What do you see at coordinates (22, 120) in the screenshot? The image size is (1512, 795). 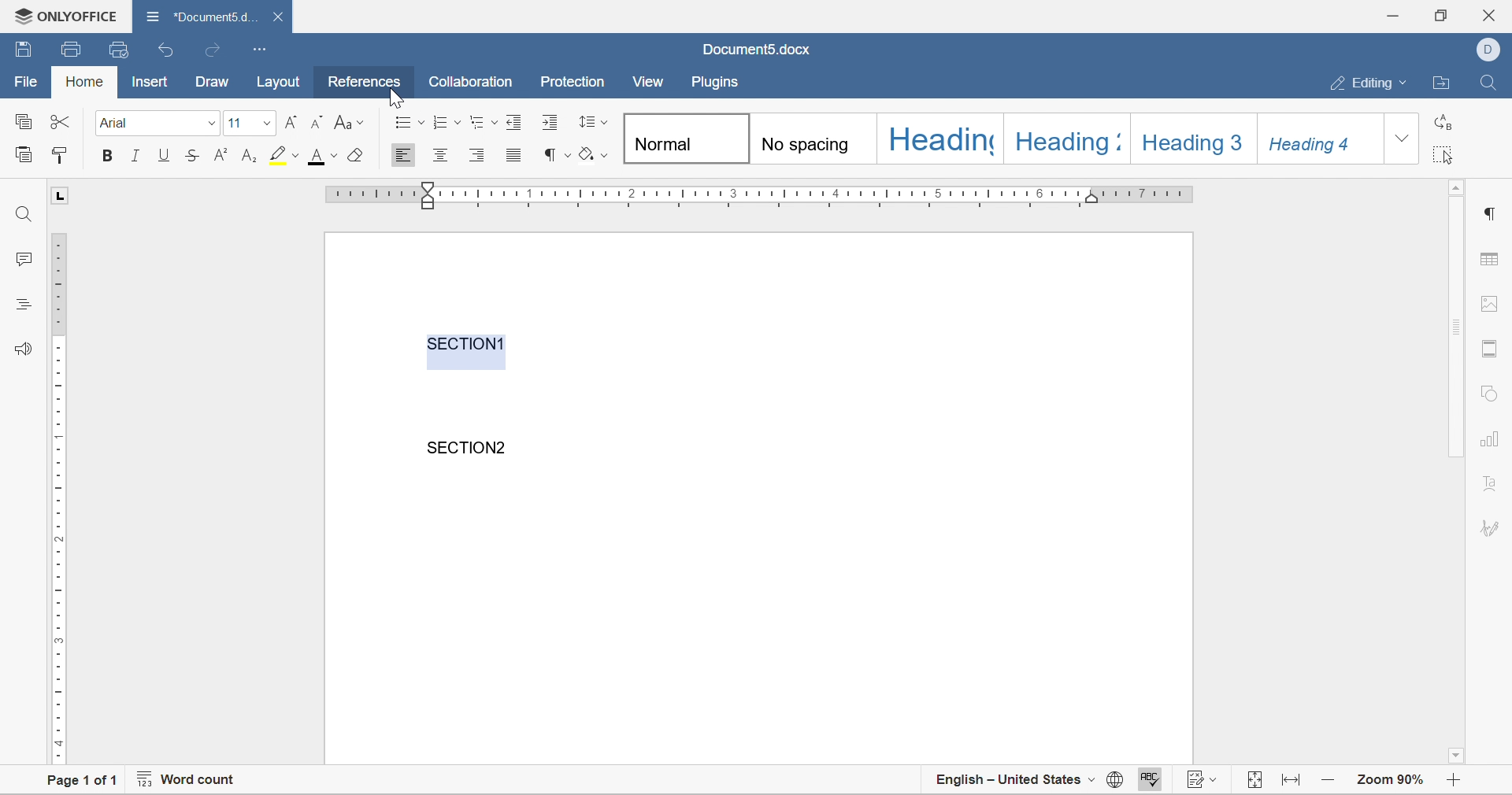 I see `copy` at bounding box center [22, 120].